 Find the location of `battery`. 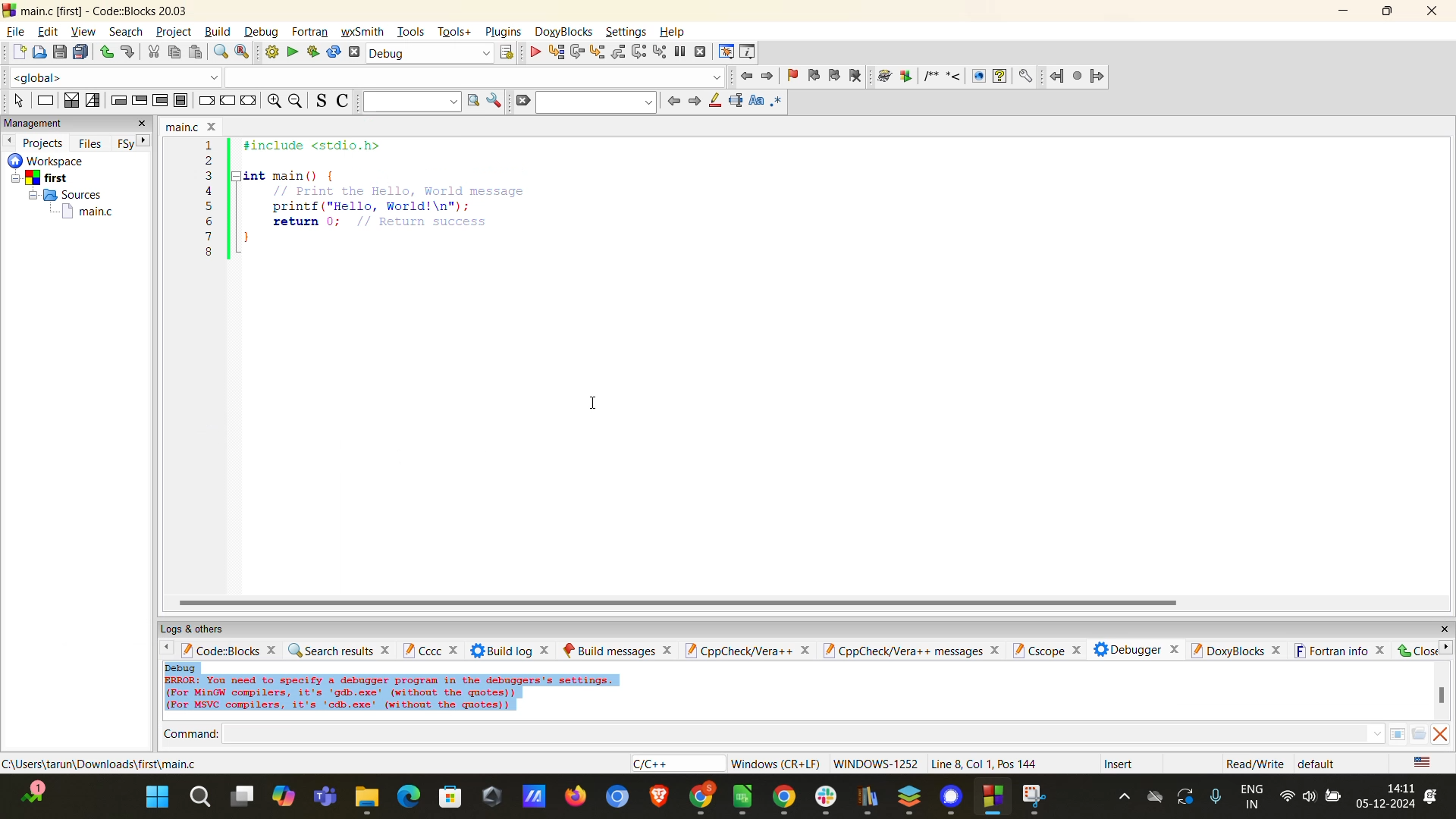

battery is located at coordinates (1333, 795).